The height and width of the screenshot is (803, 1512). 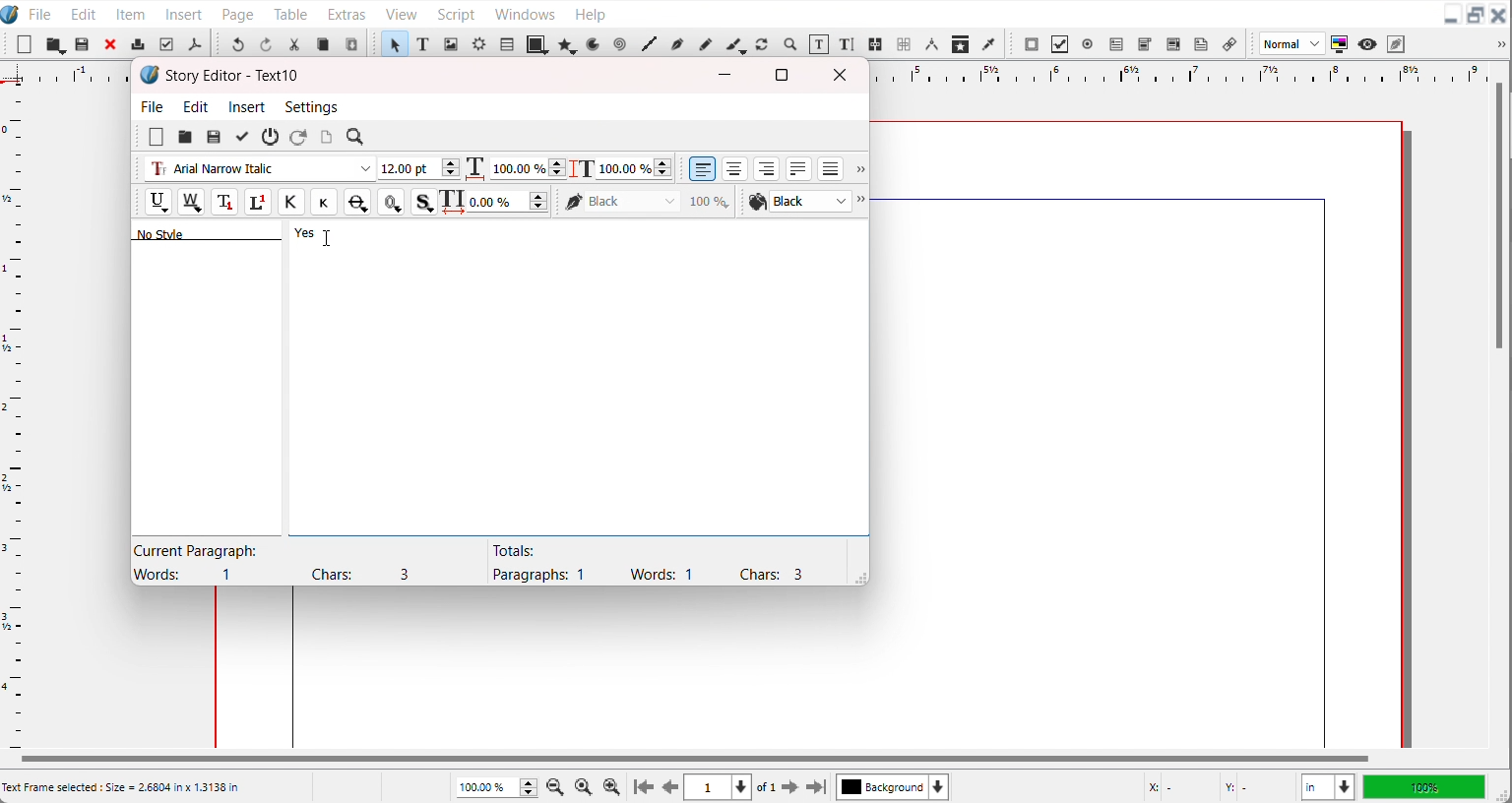 What do you see at coordinates (692, 759) in the screenshot?
I see `Horizontal Scroll bar` at bounding box center [692, 759].